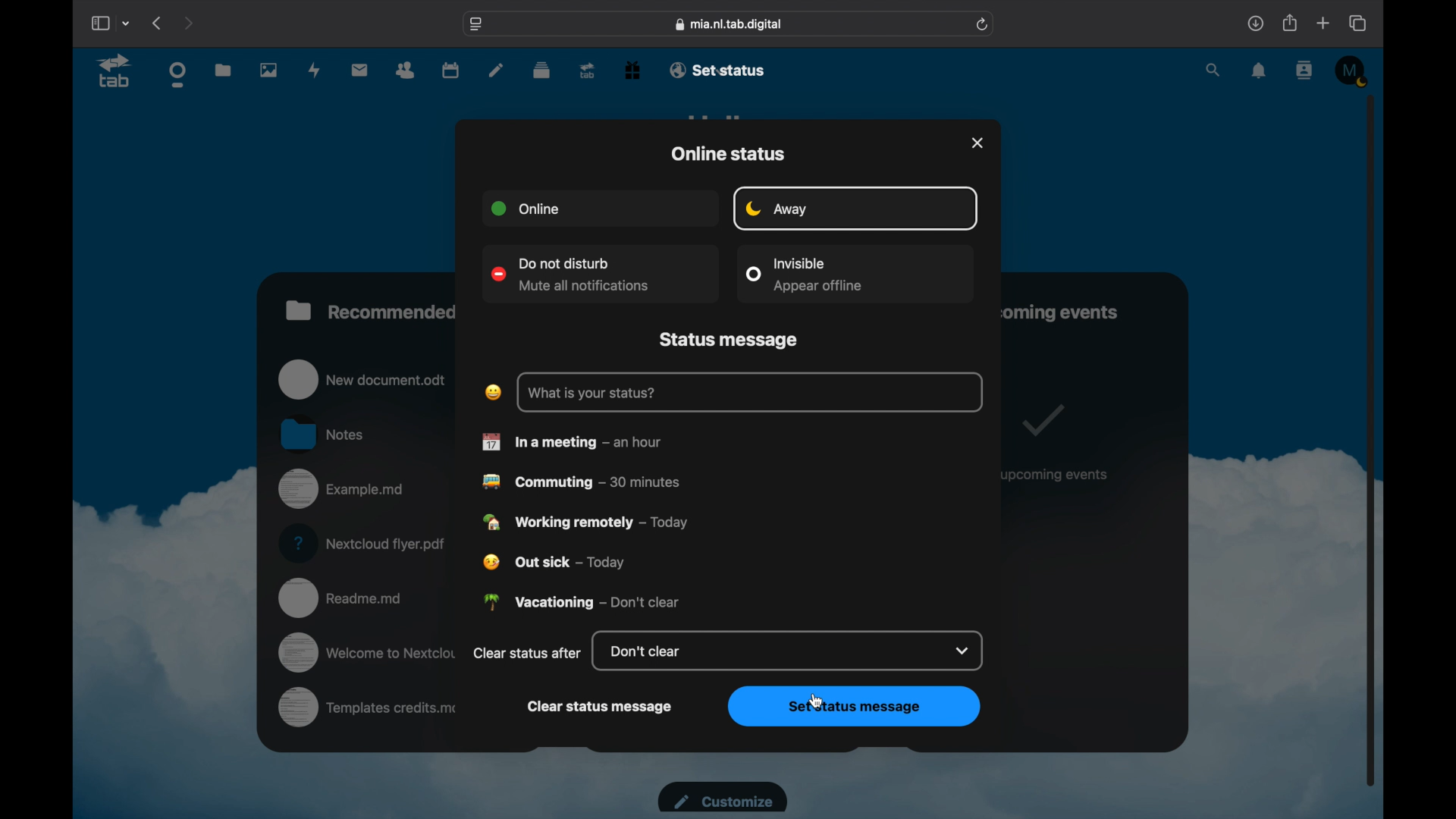 The image size is (1456, 819). I want to click on recommended files, so click(372, 310).